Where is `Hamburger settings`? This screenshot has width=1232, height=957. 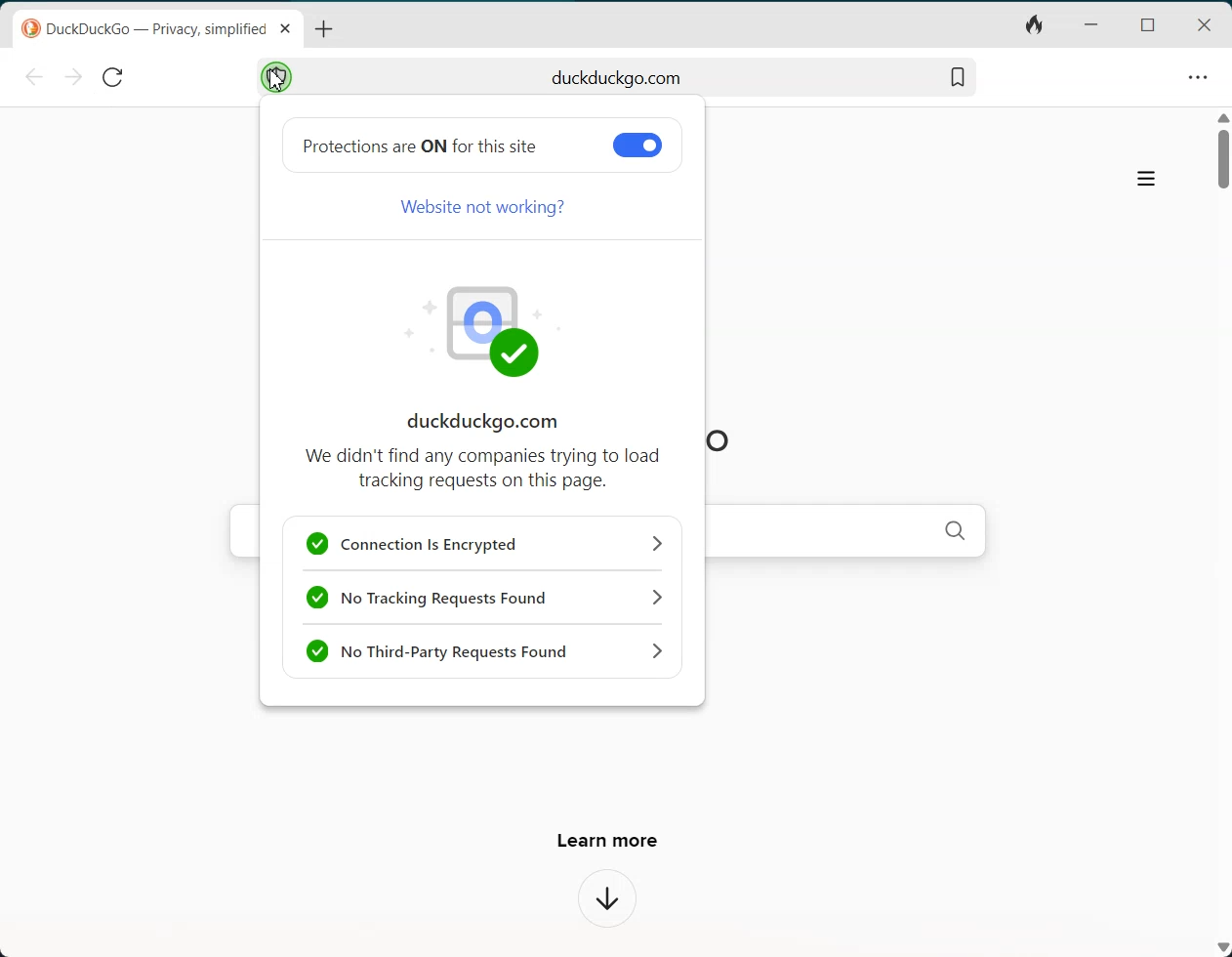
Hamburger settings is located at coordinates (1146, 181).